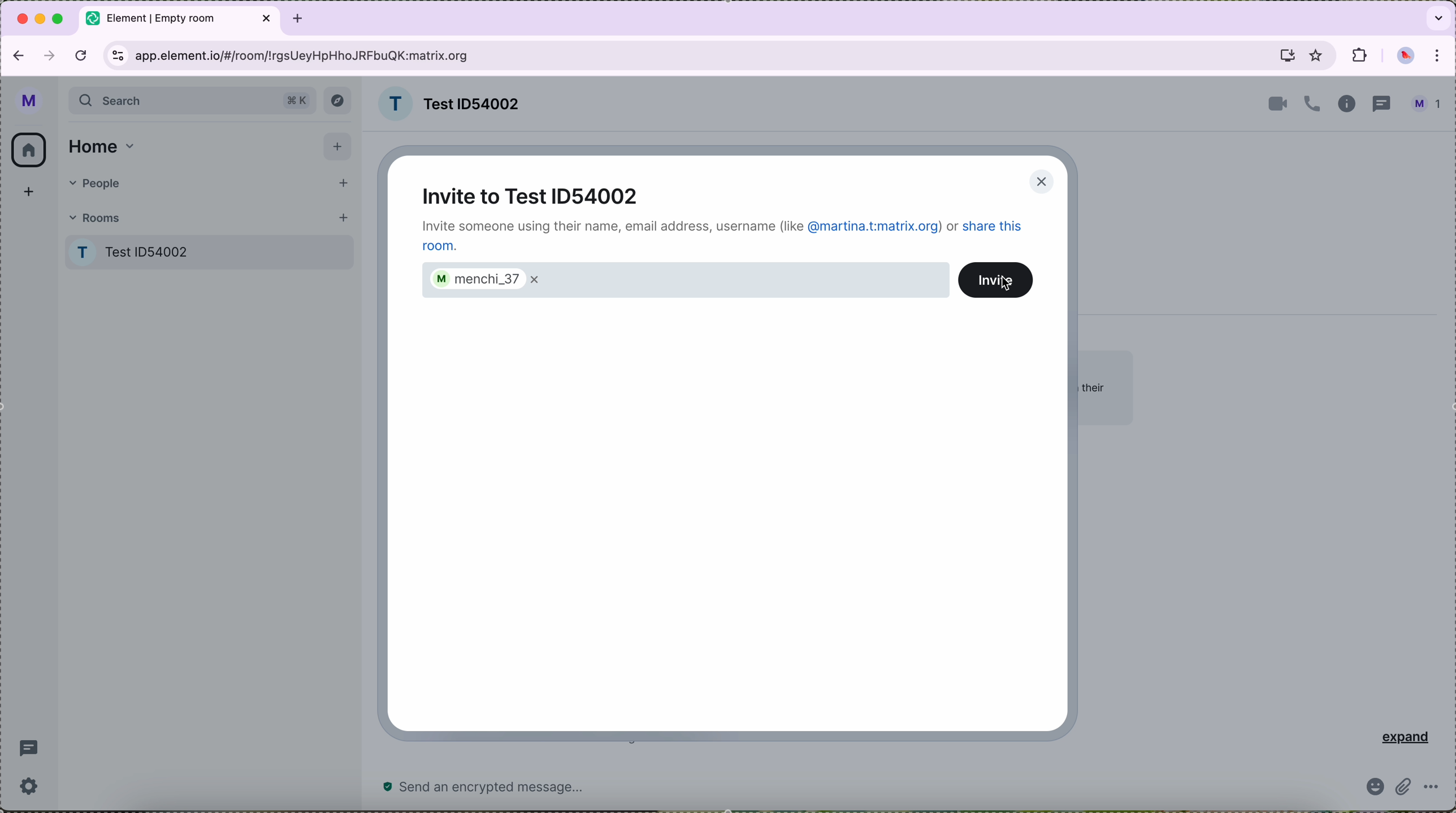  I want to click on call, so click(1312, 105).